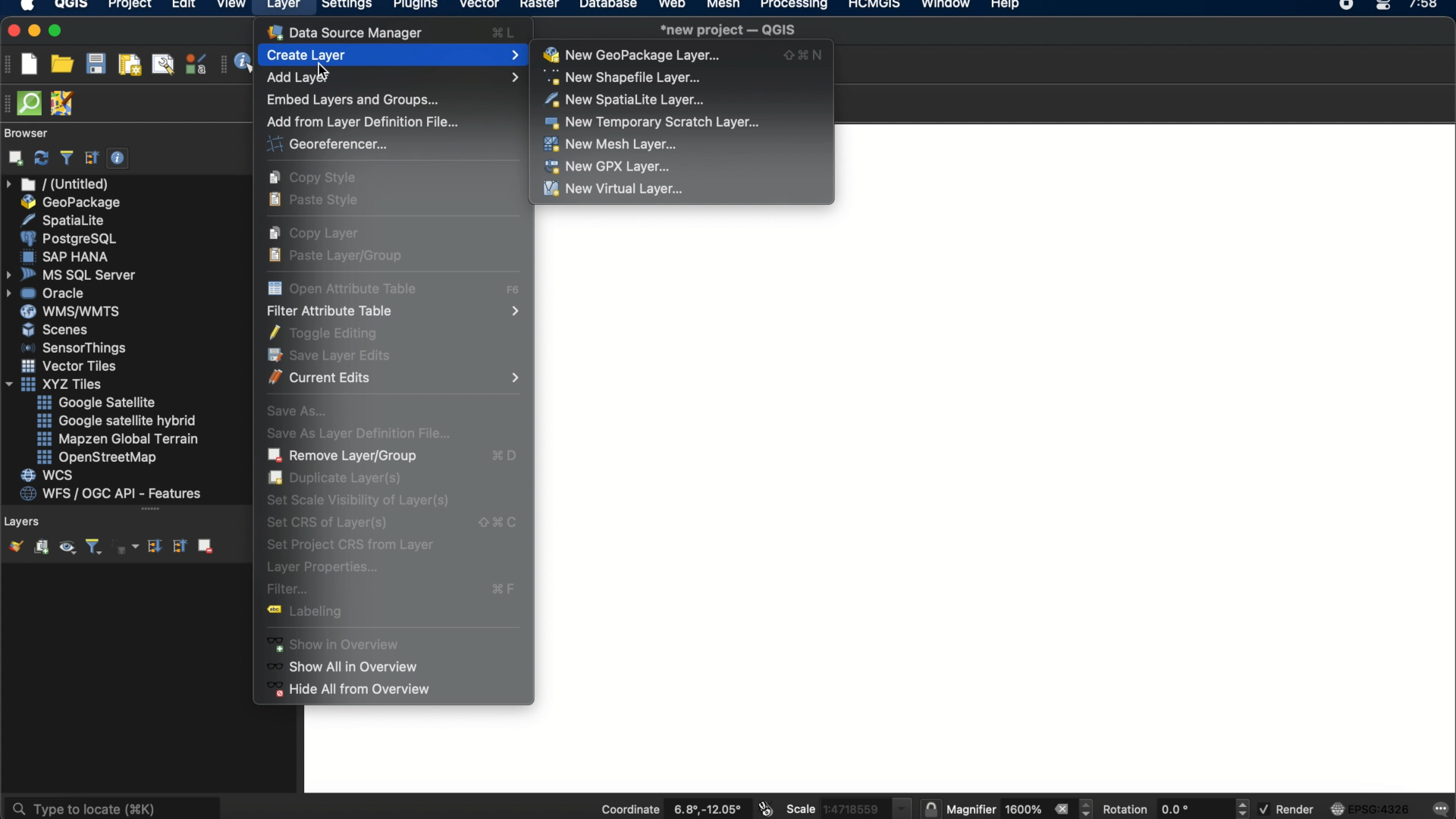 This screenshot has height=819, width=1456. I want to click on show layout, so click(163, 64).